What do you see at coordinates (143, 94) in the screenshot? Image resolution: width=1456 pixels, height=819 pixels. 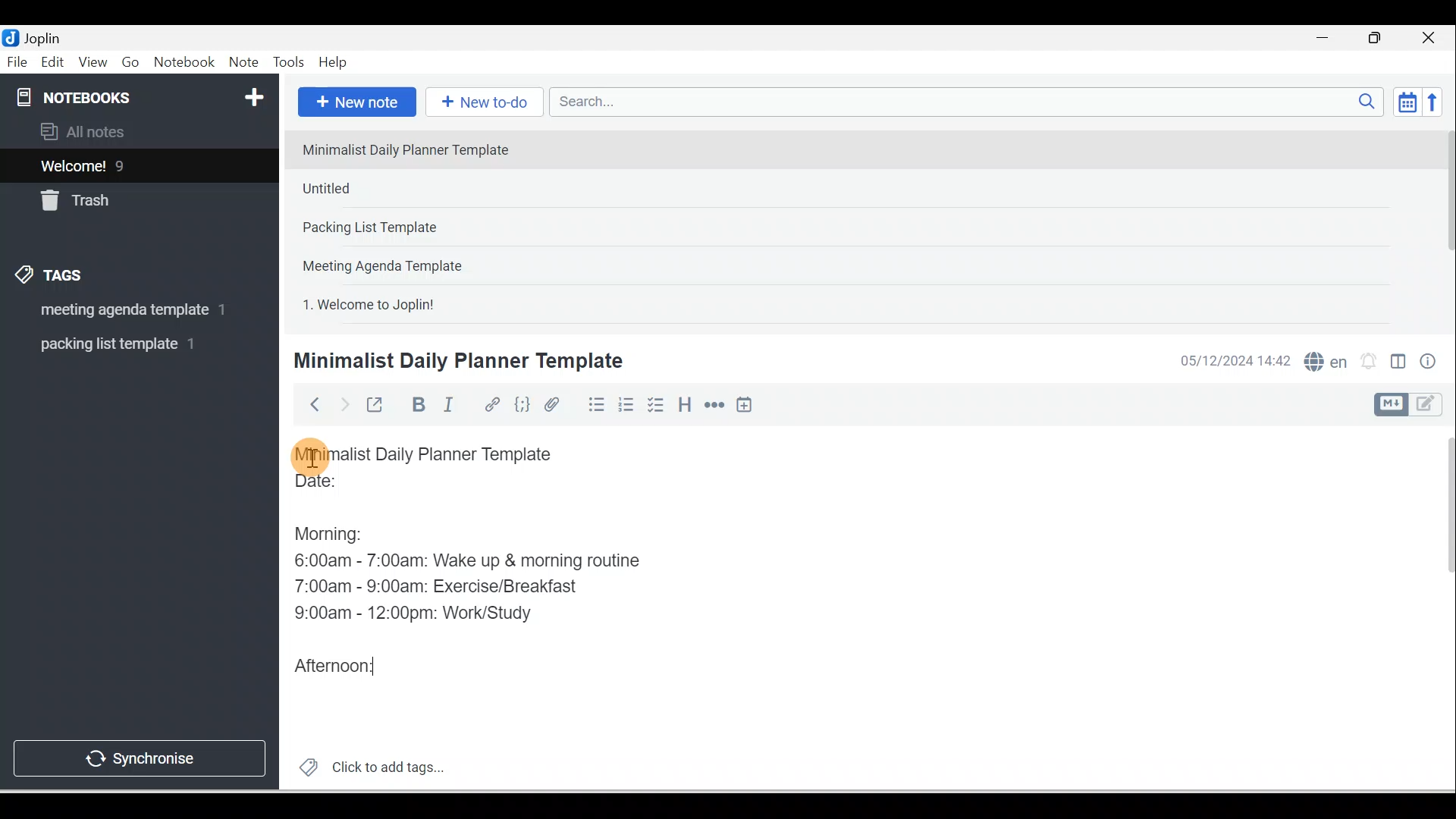 I see `Notebooks` at bounding box center [143, 94].